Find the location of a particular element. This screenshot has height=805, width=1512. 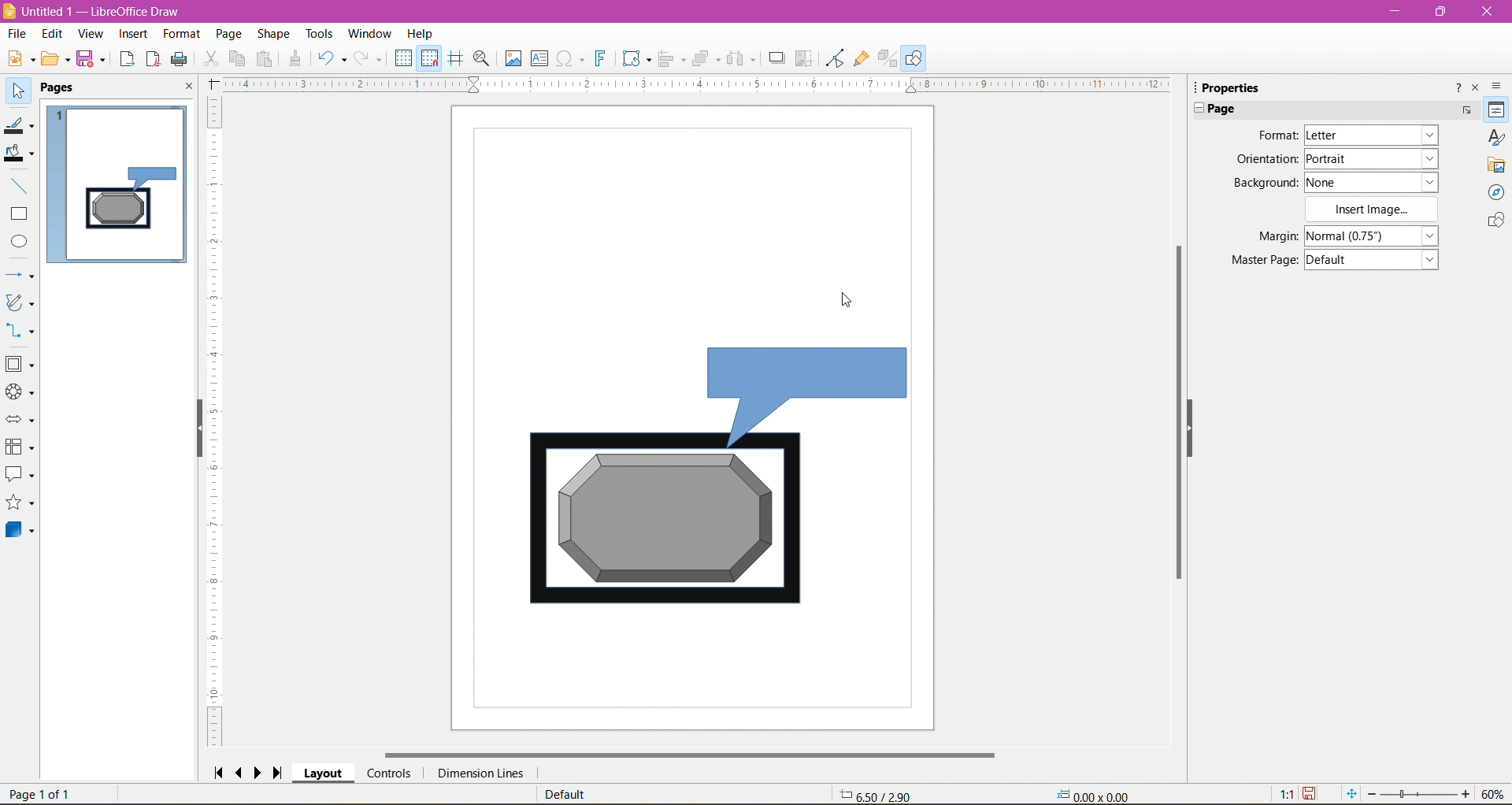

60% is located at coordinates (1495, 793).